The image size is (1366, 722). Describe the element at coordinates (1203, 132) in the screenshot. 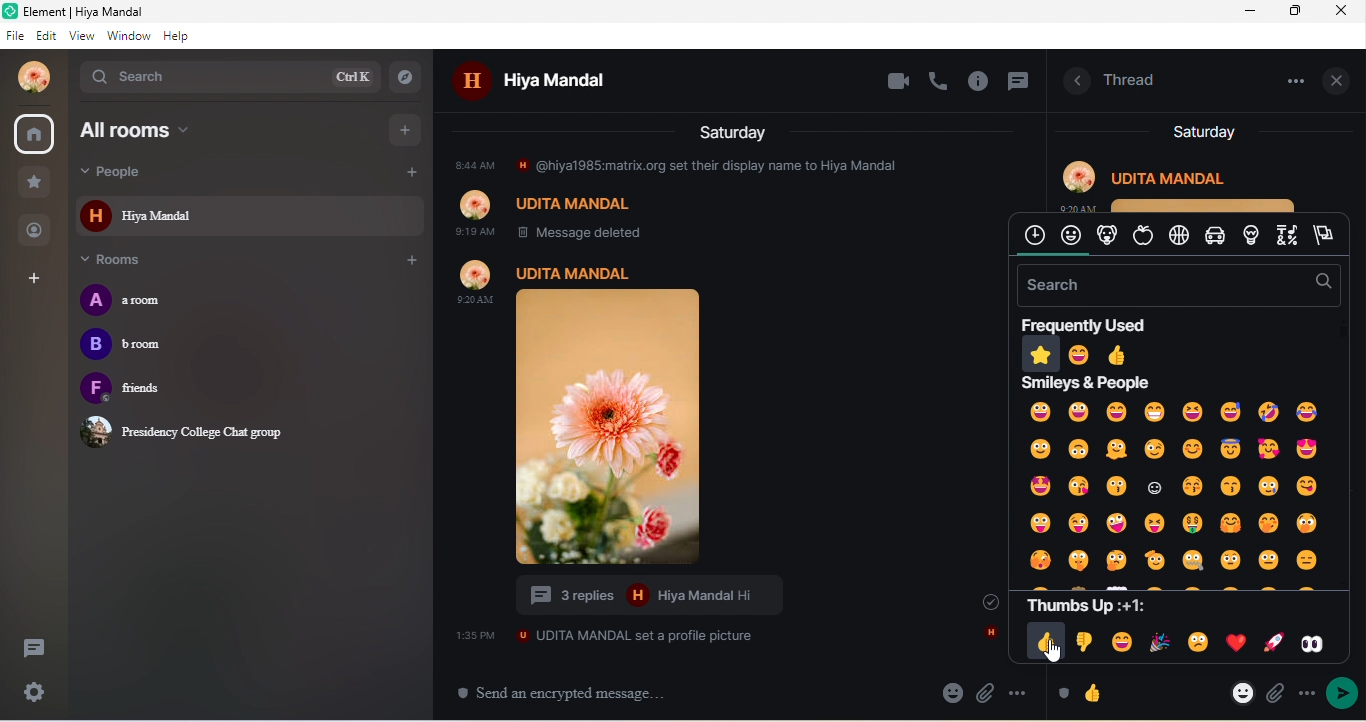

I see `saturday` at that location.